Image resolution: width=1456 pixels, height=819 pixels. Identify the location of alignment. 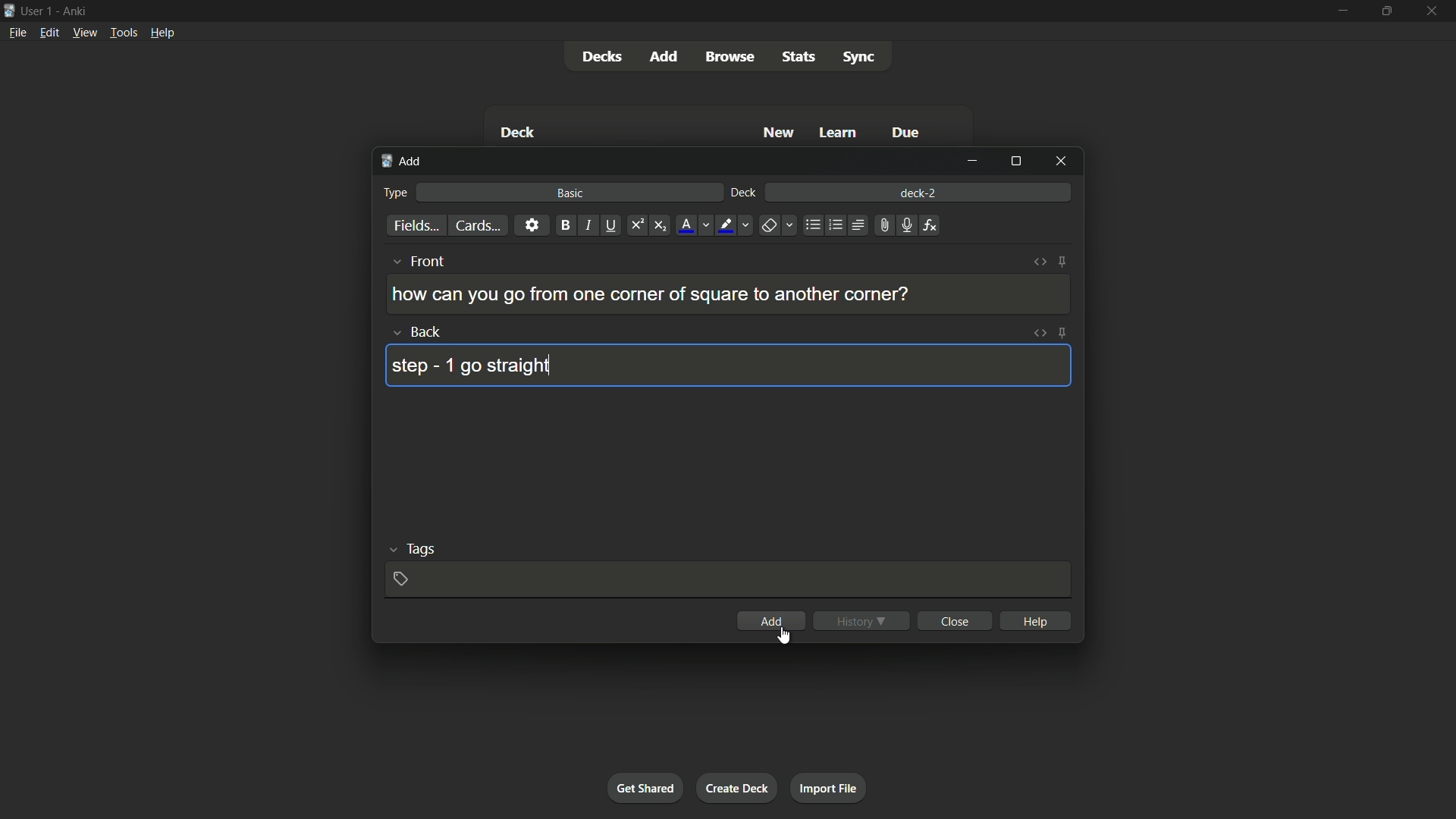
(859, 224).